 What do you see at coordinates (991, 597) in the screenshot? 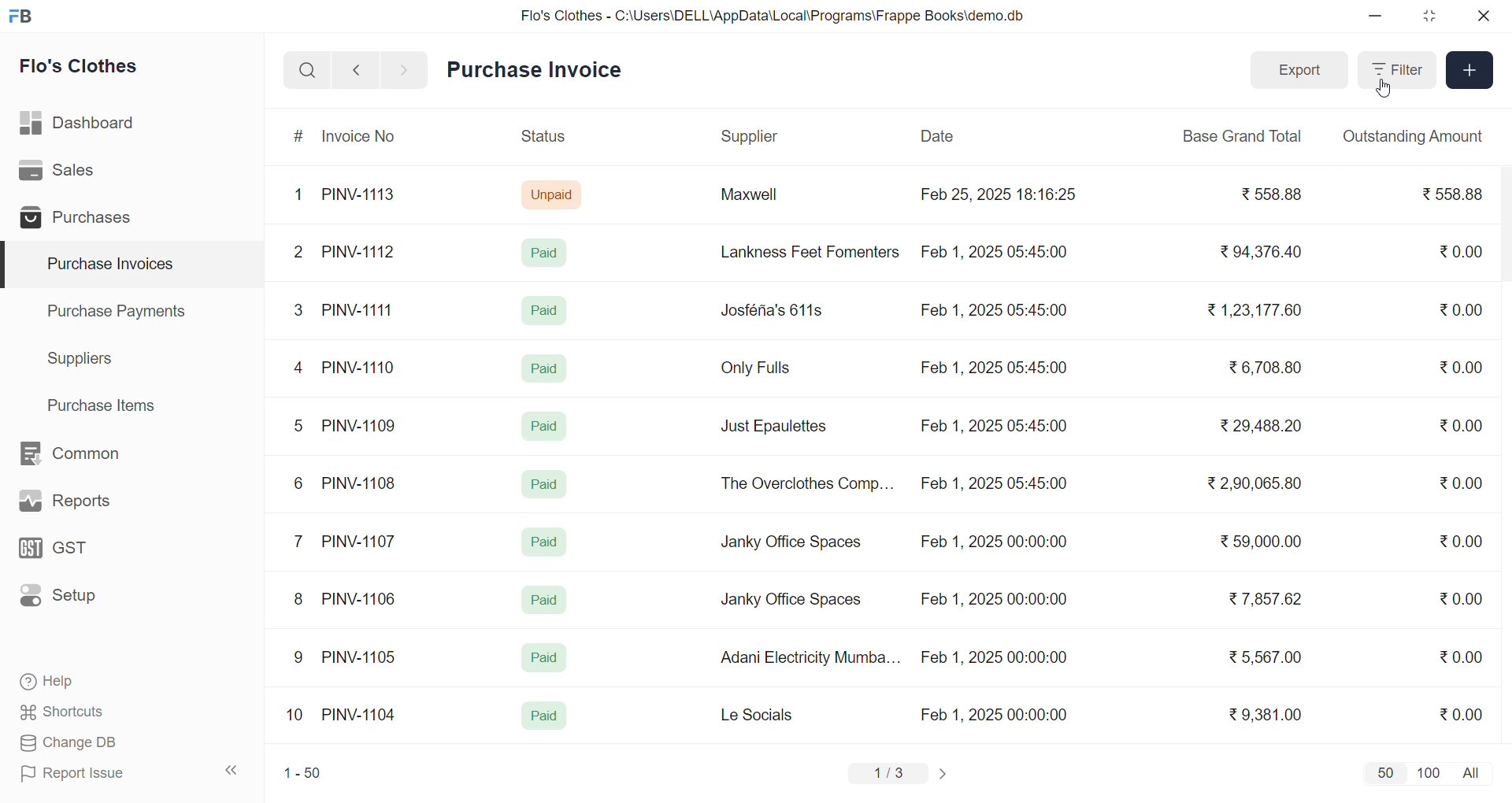
I see `Feb 1, 2025 00:00:00` at bounding box center [991, 597].